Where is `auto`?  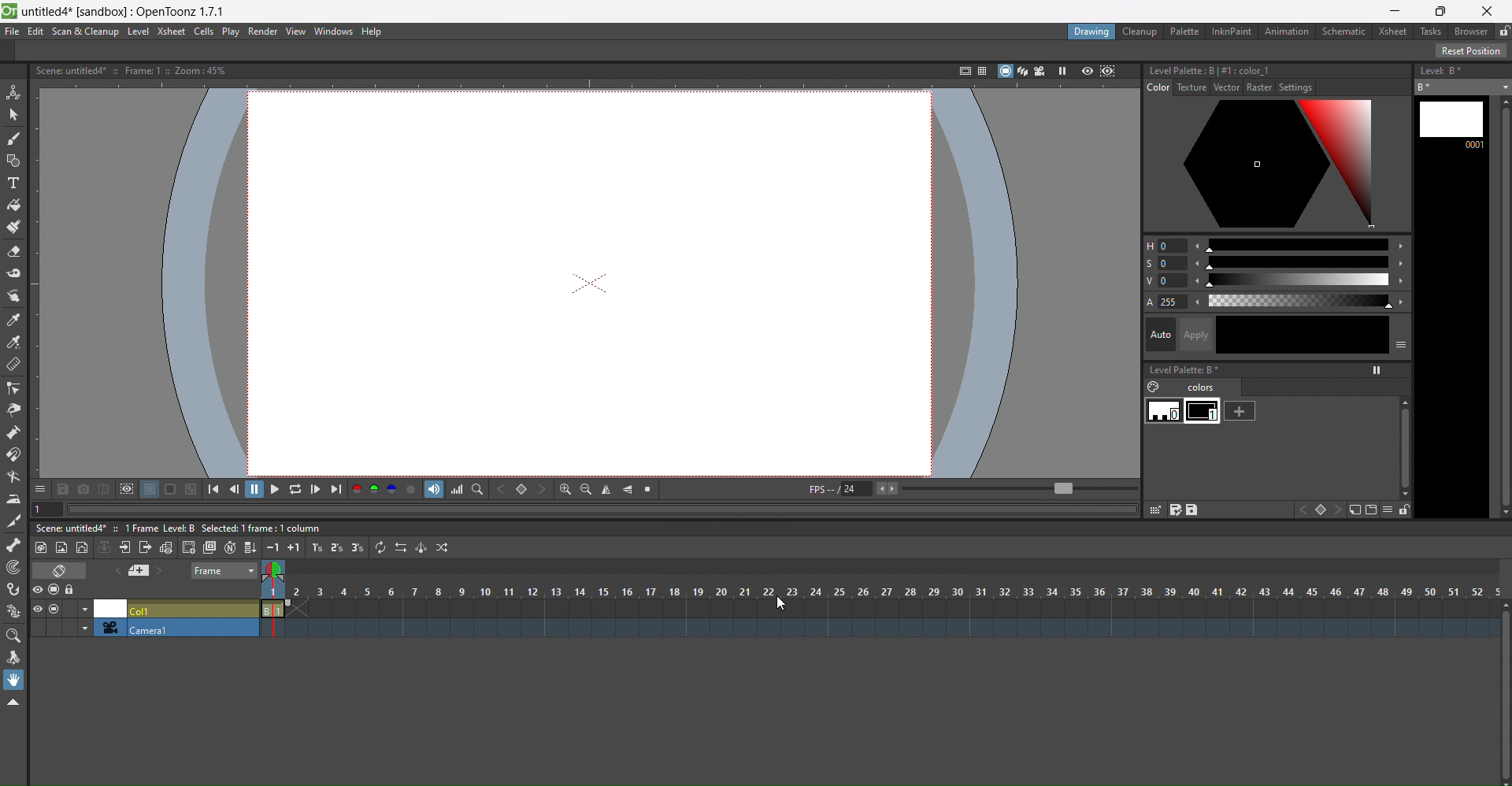
auto is located at coordinates (1161, 334).